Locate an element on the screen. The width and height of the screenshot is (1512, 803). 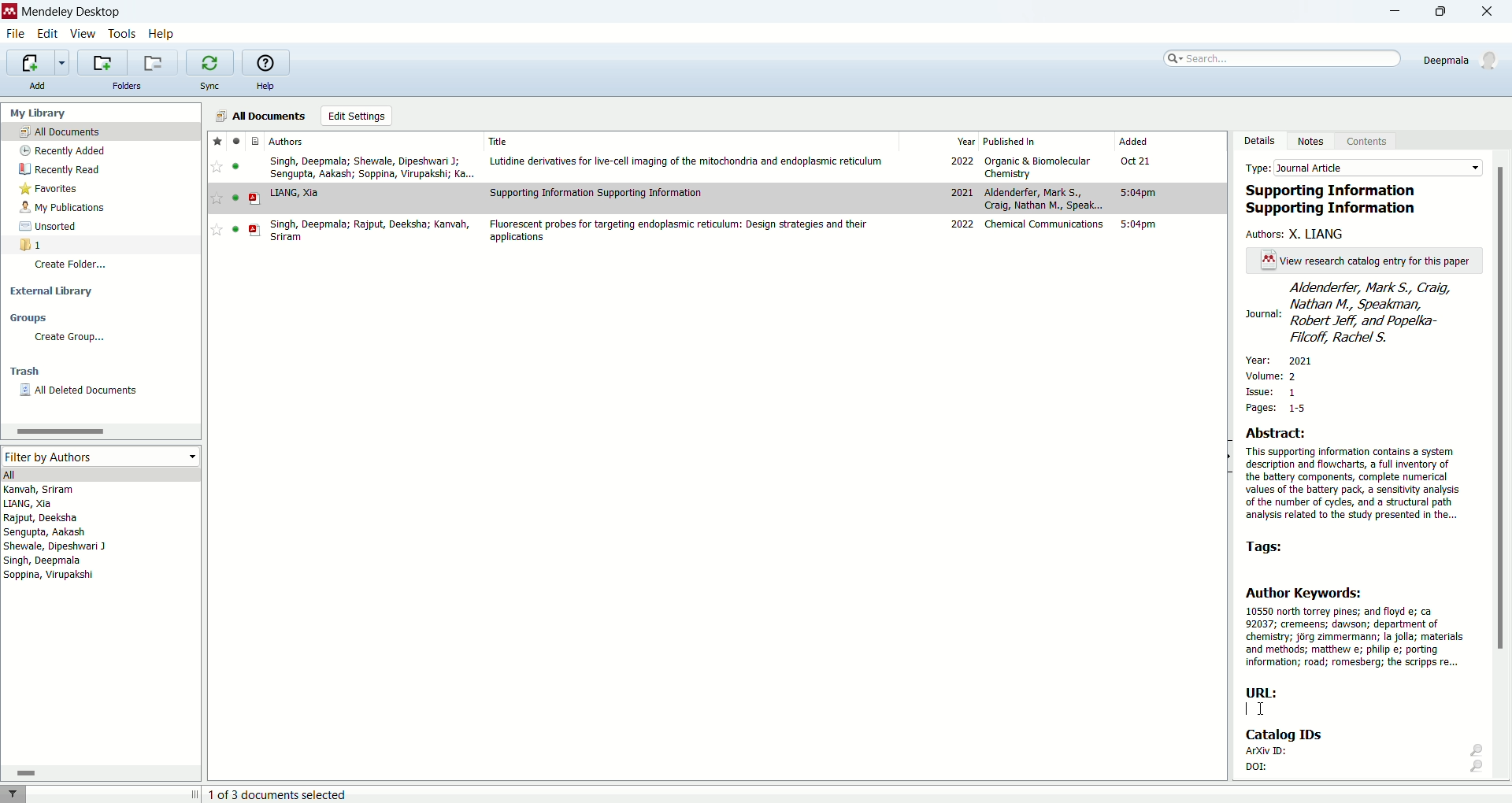
create a new folder is located at coordinates (102, 63).